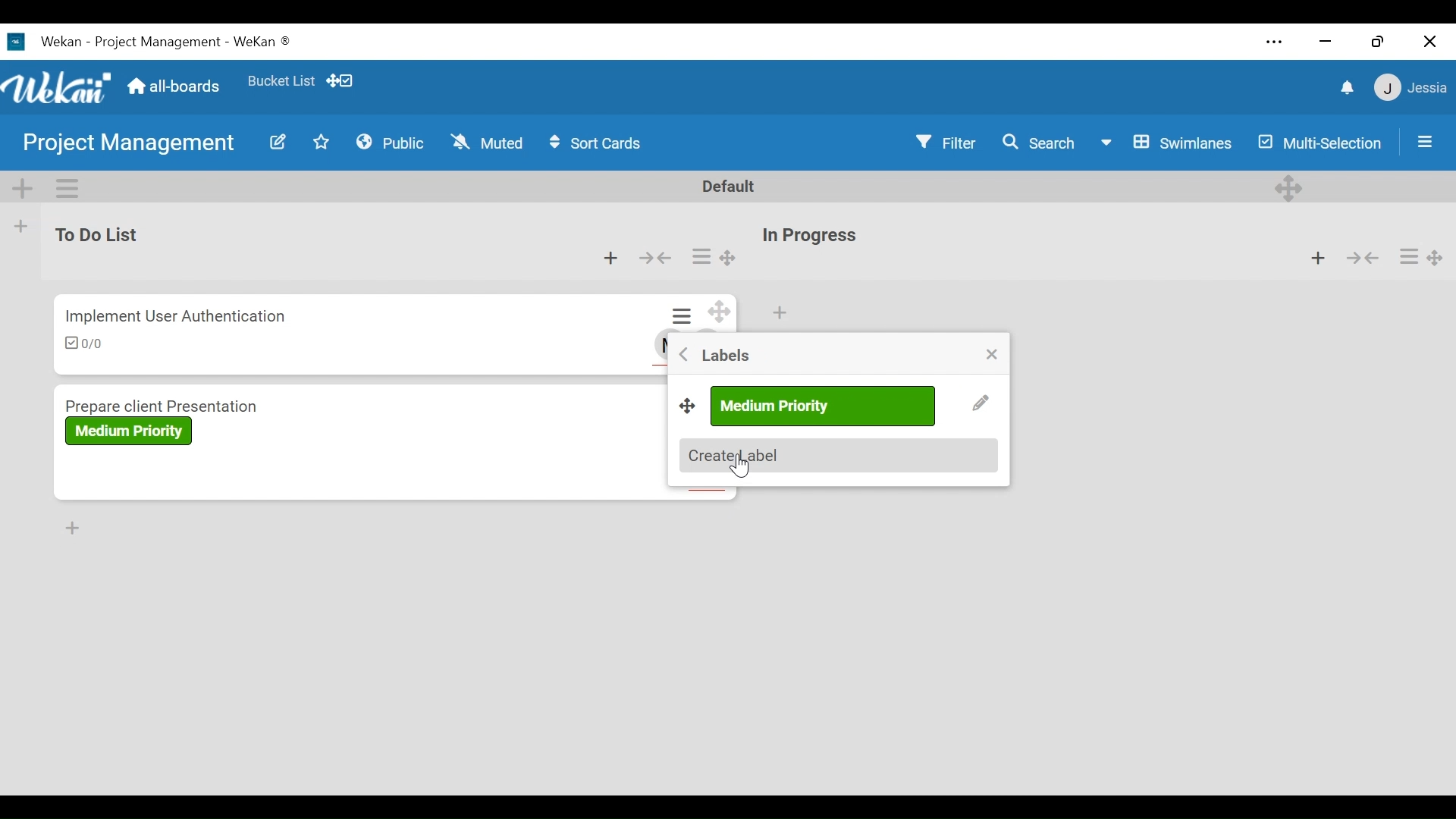  What do you see at coordinates (342, 80) in the screenshot?
I see `Show desktop drag handles` at bounding box center [342, 80].